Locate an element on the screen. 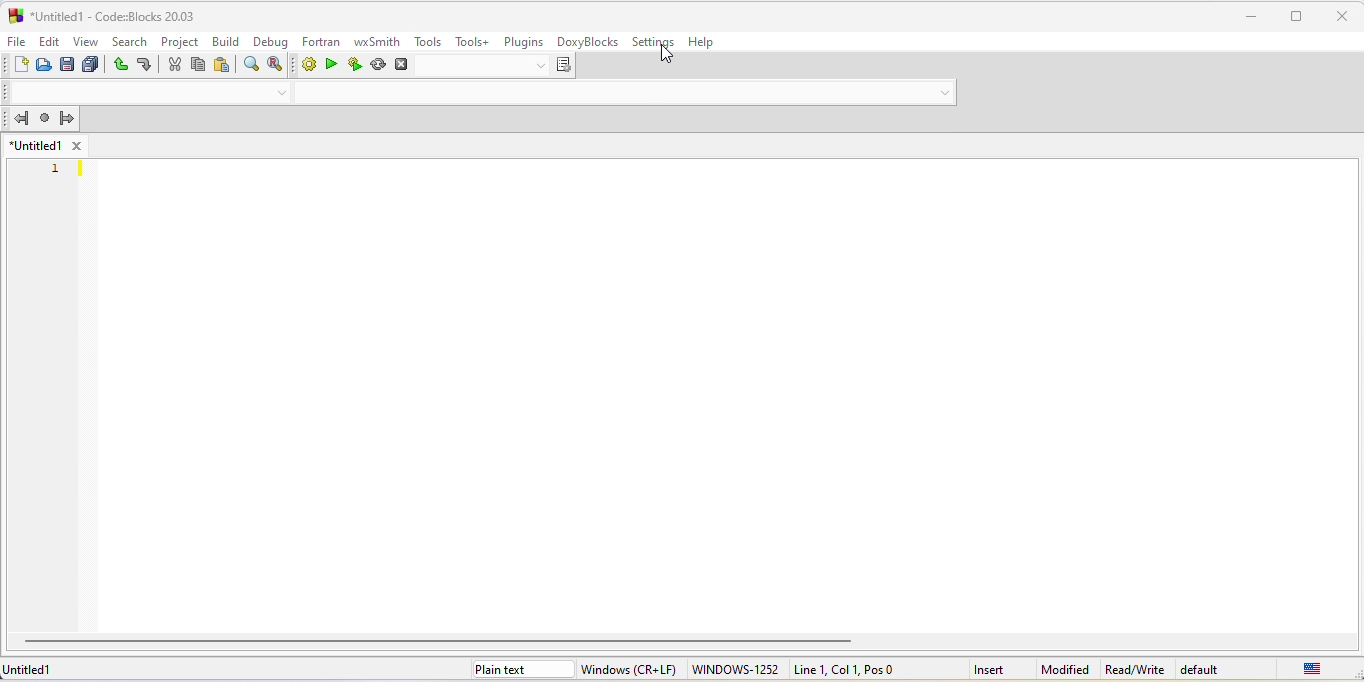 The width and height of the screenshot is (1364, 682). untitled 1 is located at coordinates (35, 145).